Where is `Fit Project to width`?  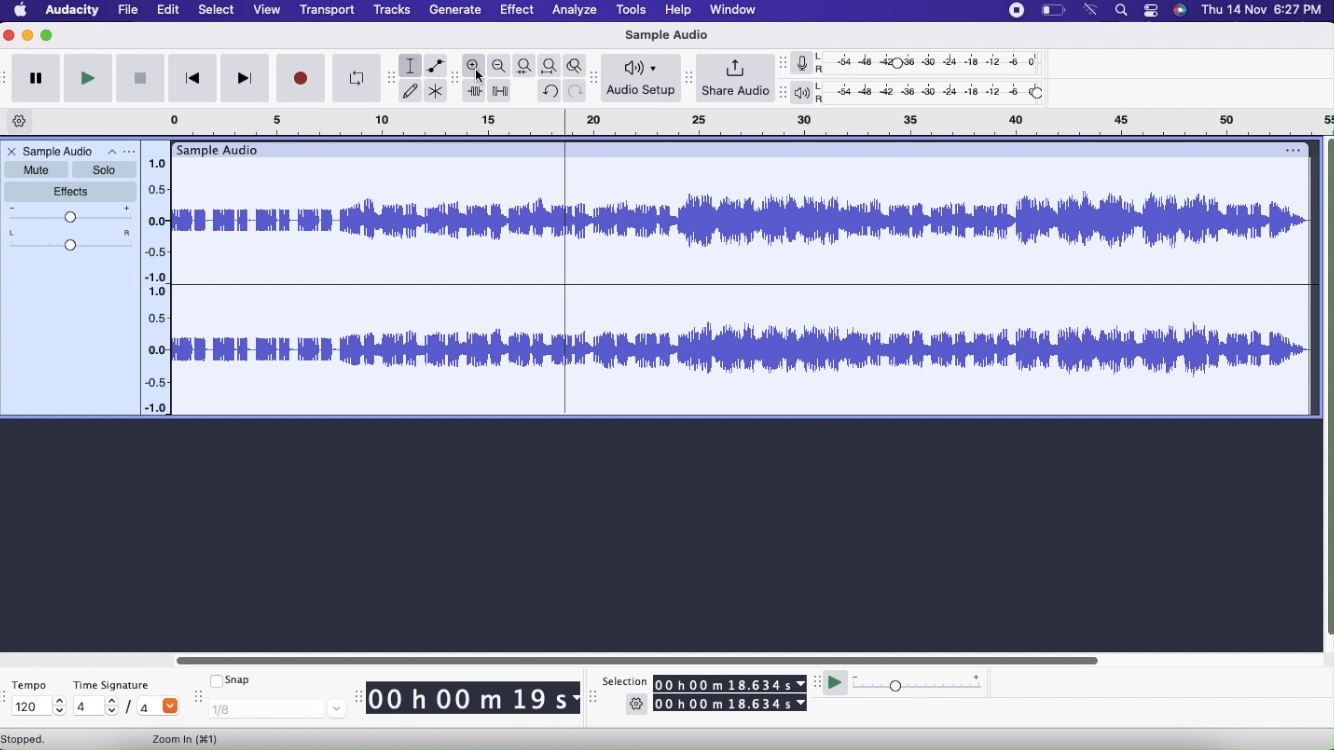 Fit Project to width is located at coordinates (549, 66).